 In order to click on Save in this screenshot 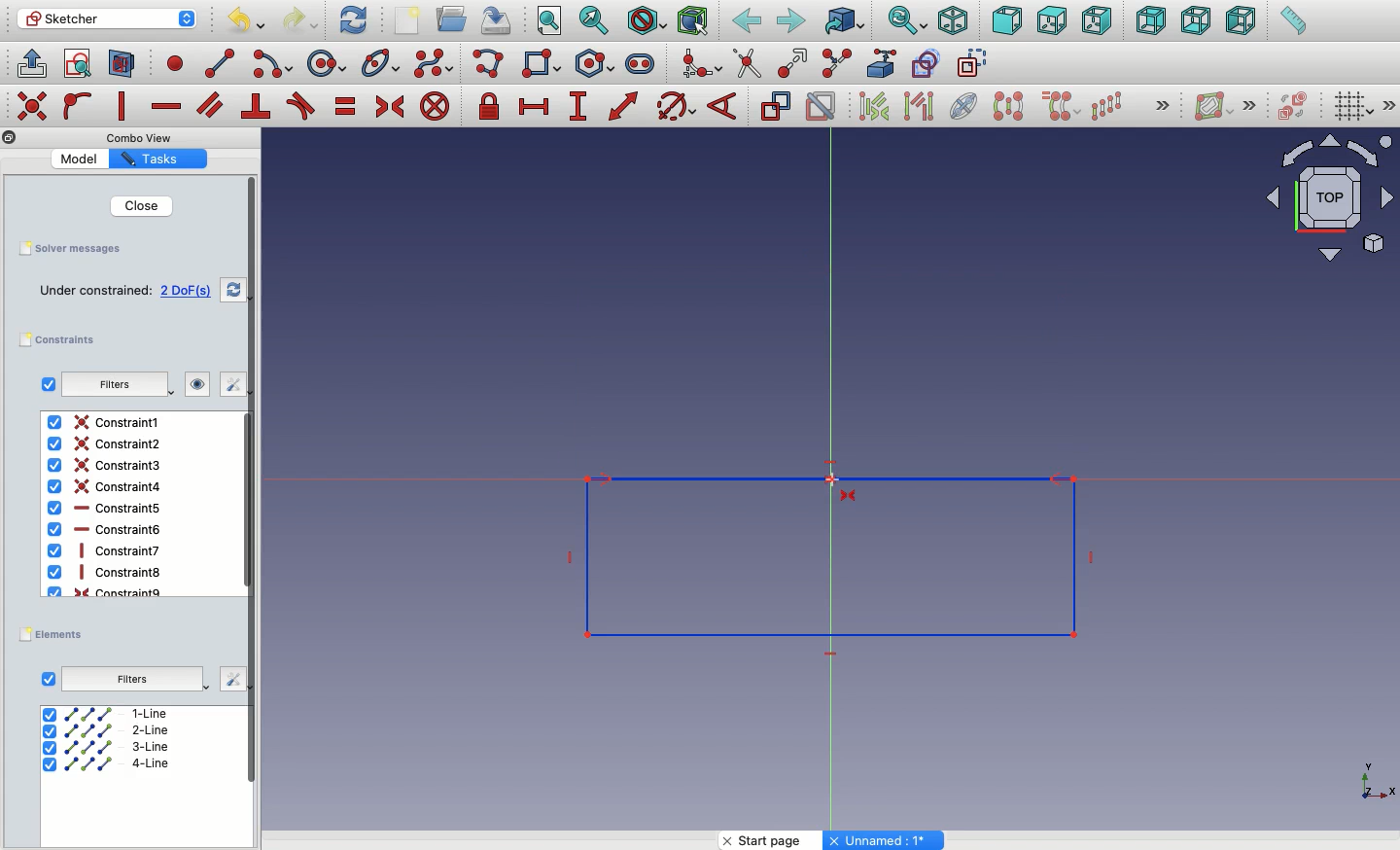, I will do `click(69, 247)`.